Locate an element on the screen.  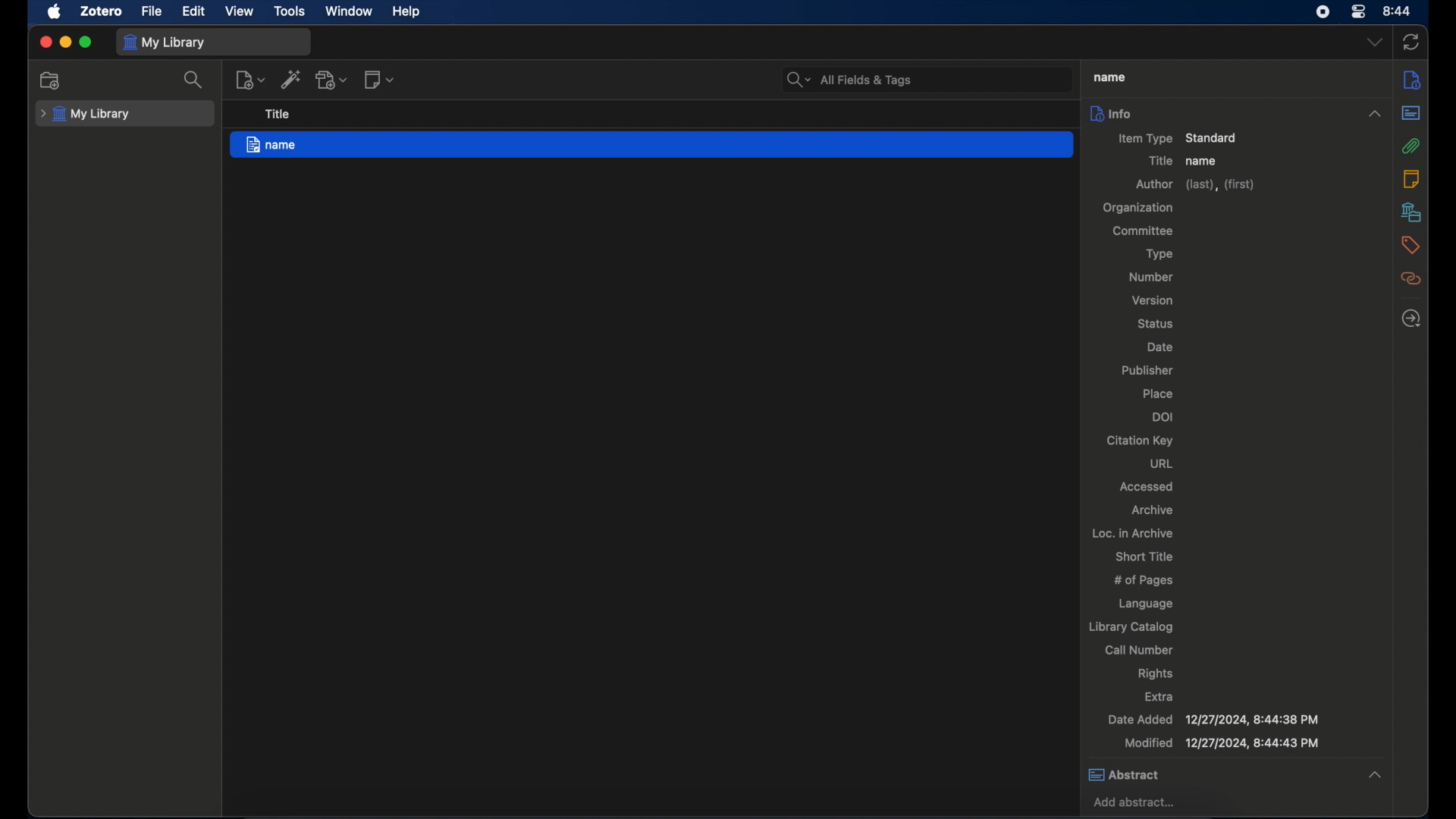
name is located at coordinates (1109, 77).